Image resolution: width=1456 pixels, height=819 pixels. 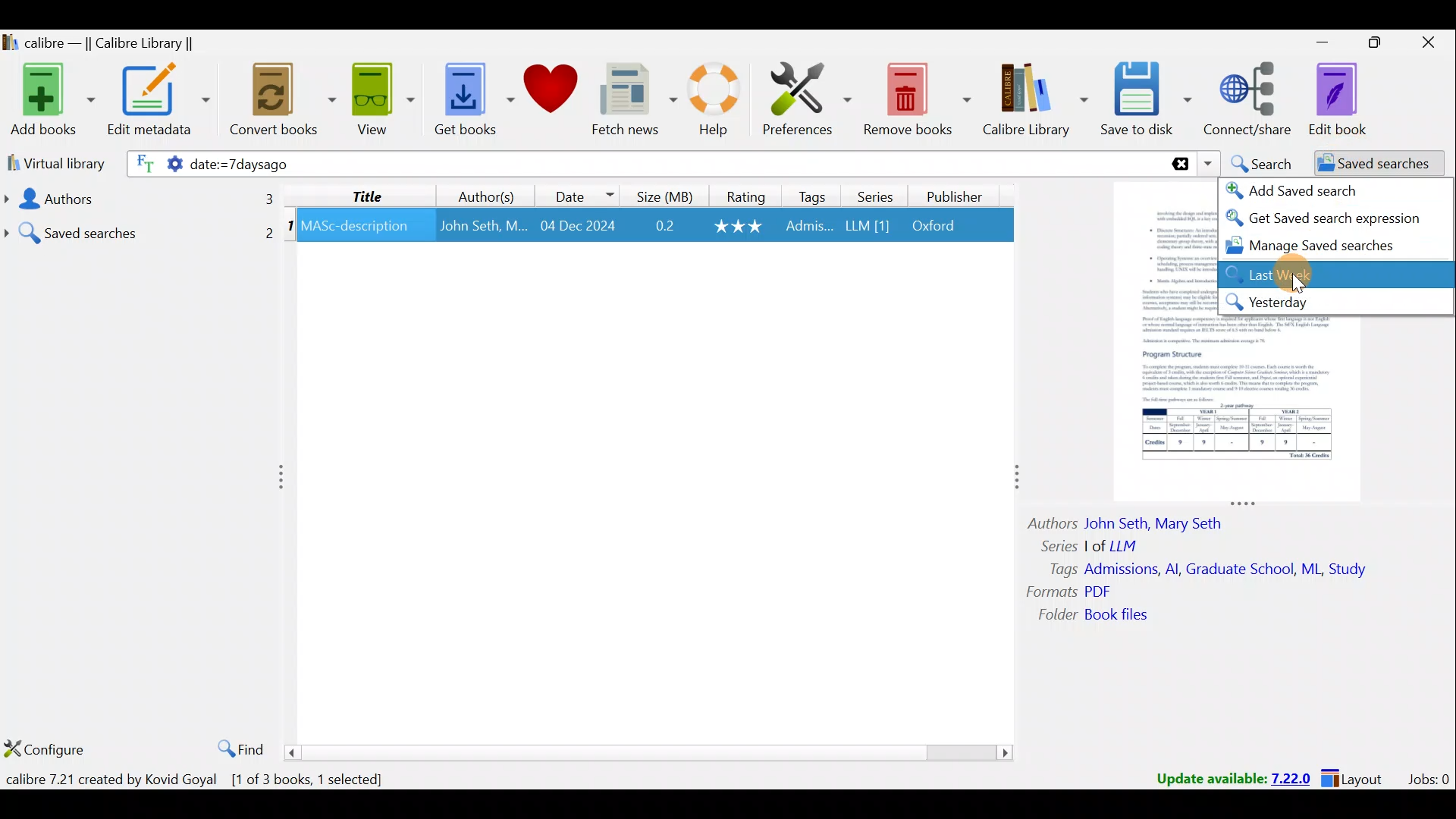 What do you see at coordinates (1105, 616) in the screenshot?
I see `Folder book files` at bounding box center [1105, 616].